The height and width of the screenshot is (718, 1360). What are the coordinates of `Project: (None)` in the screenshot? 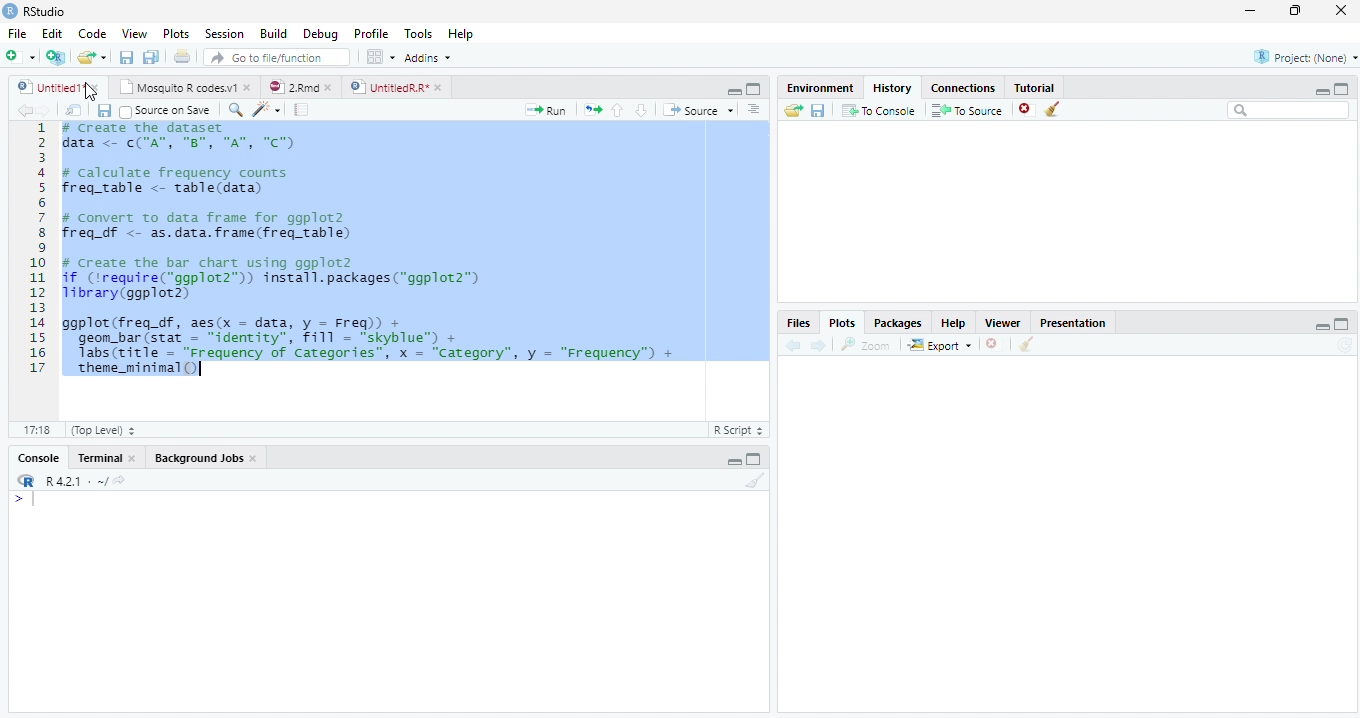 It's located at (1299, 59).